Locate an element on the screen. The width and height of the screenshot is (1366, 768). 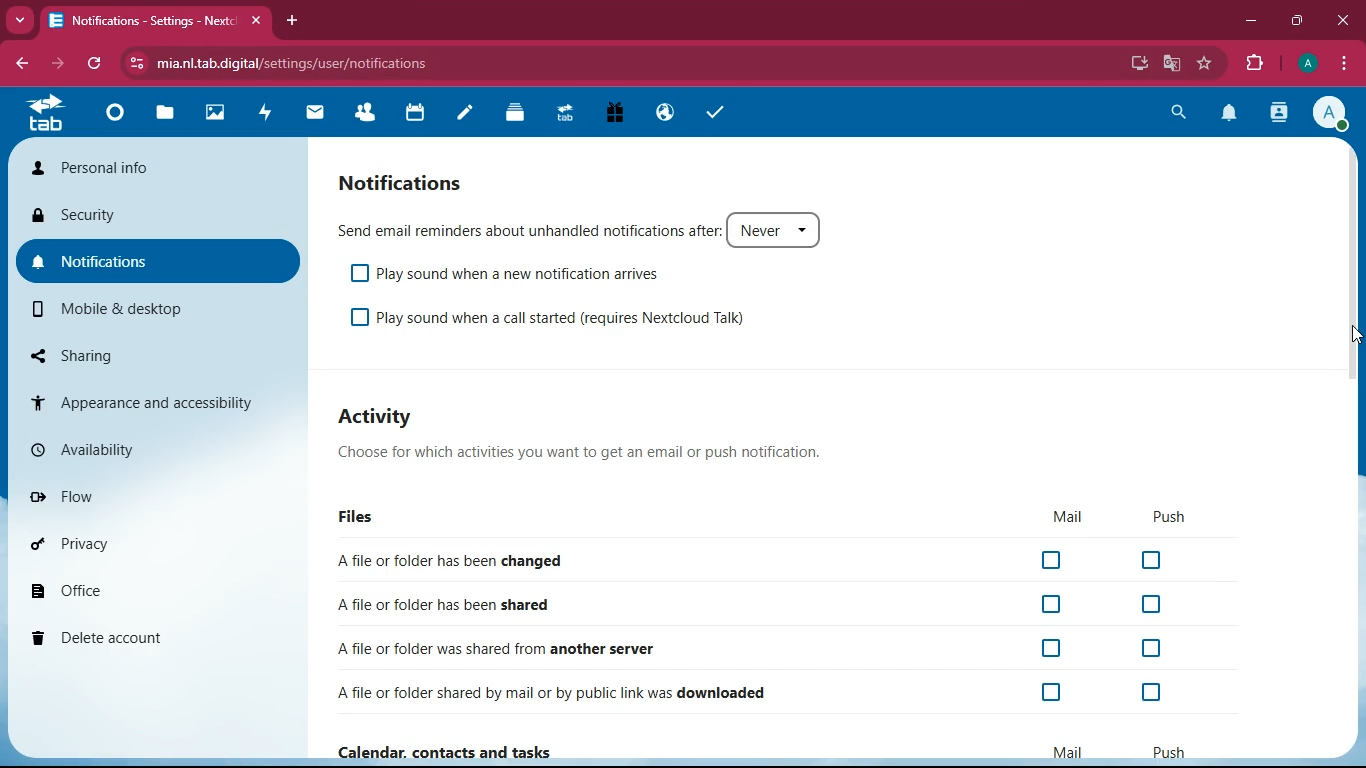
add tab is located at coordinates (293, 20).